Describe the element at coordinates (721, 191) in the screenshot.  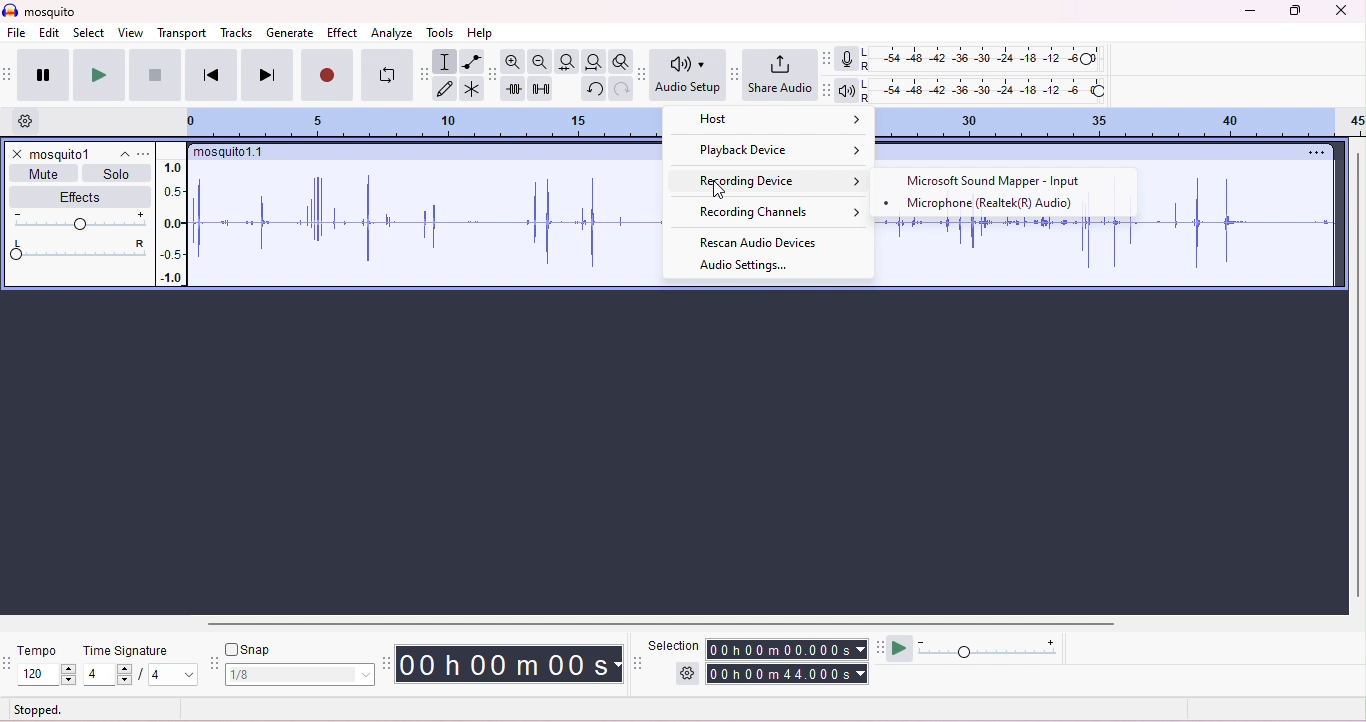
I see `cursor movement` at that location.